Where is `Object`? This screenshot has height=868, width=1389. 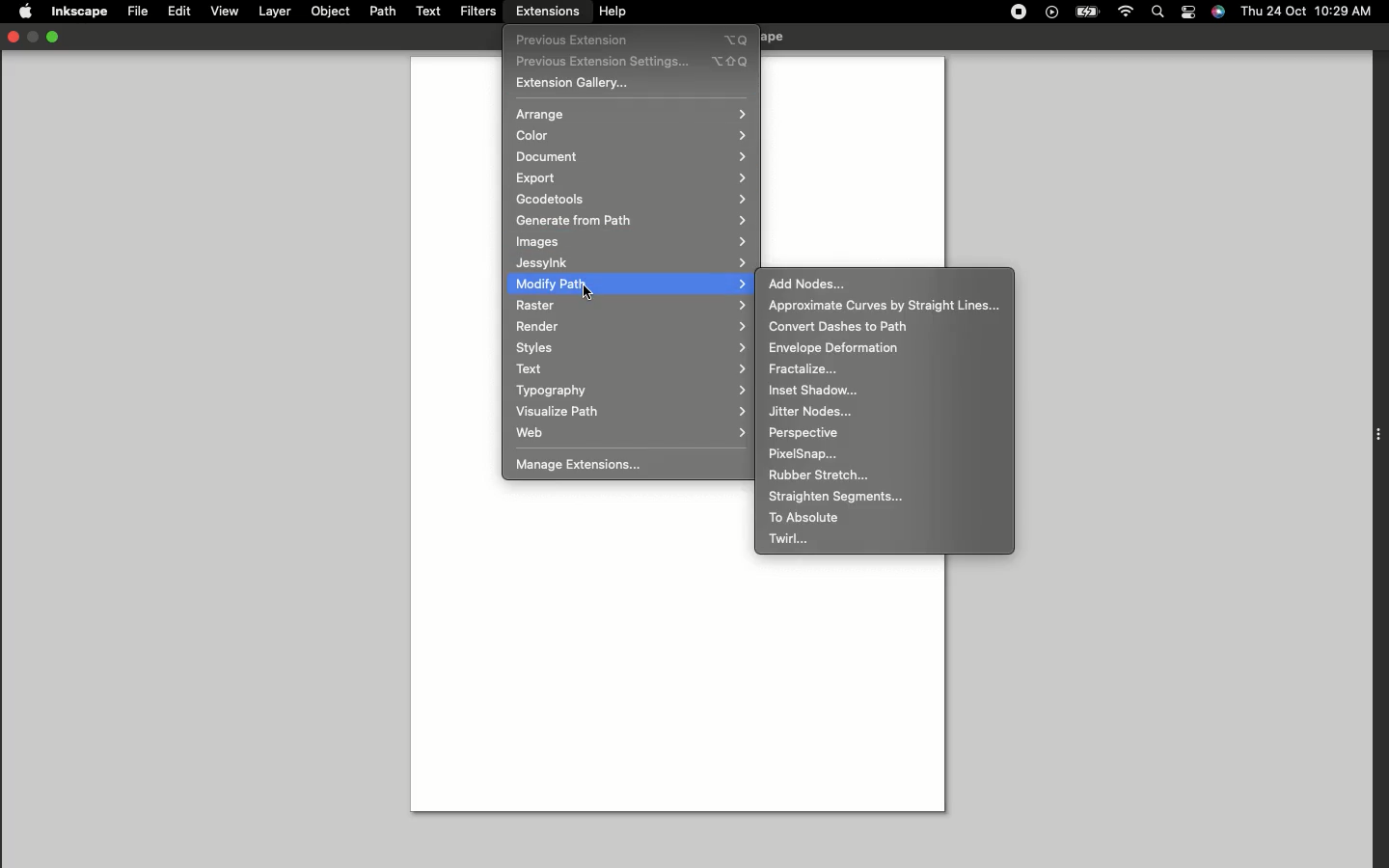
Object is located at coordinates (330, 12).